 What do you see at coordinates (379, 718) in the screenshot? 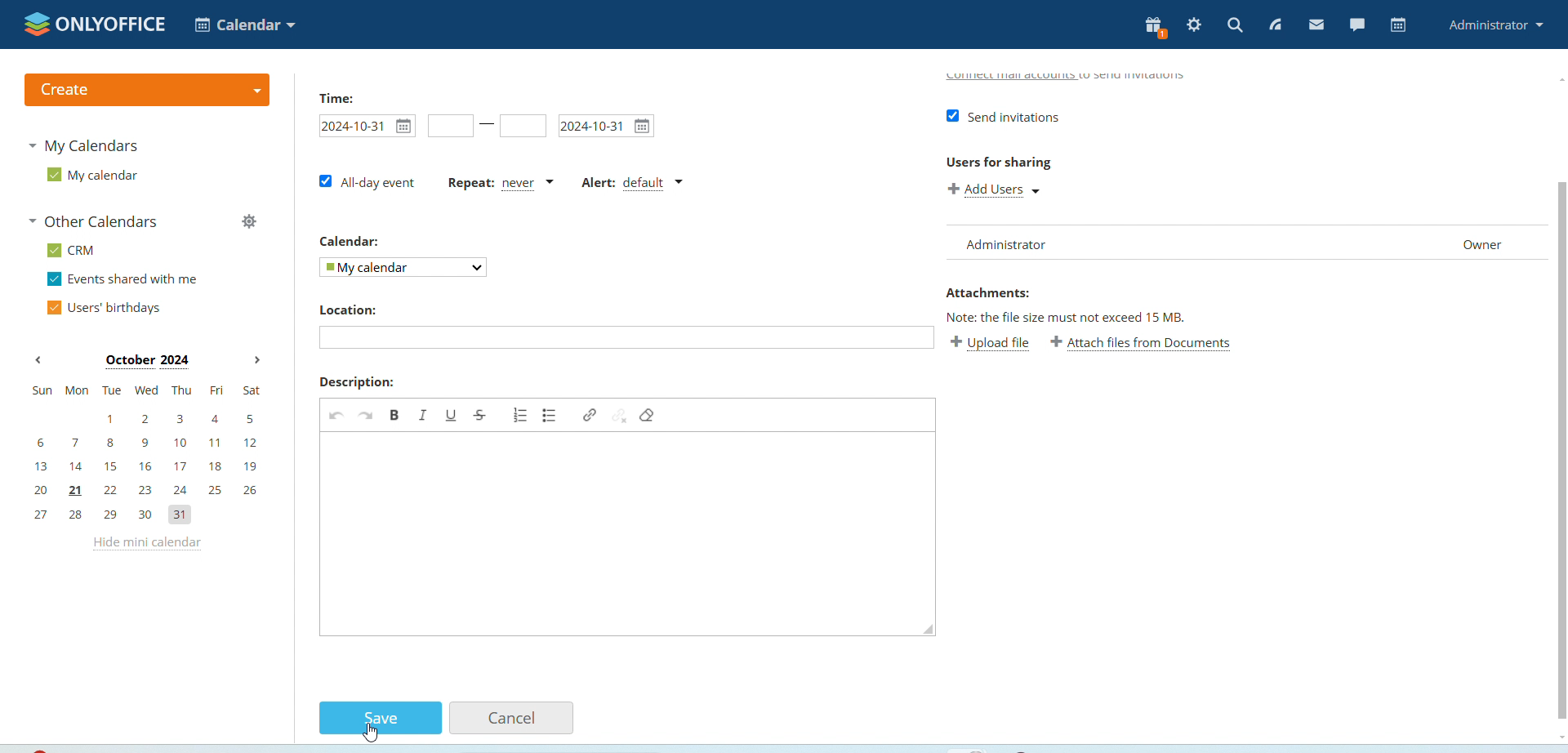
I see `save` at bounding box center [379, 718].